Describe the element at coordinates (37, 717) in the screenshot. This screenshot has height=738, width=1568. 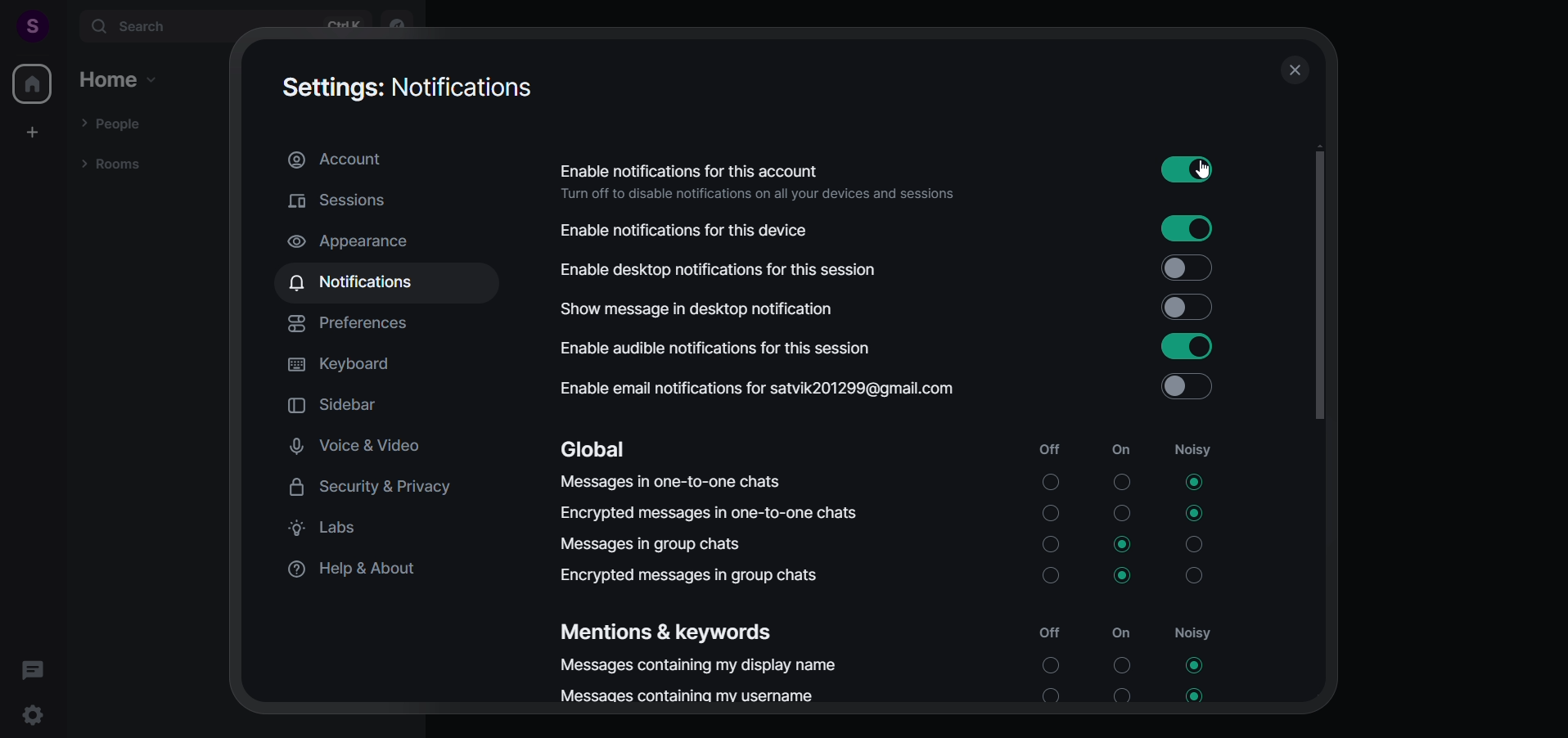
I see `Settings` at that location.